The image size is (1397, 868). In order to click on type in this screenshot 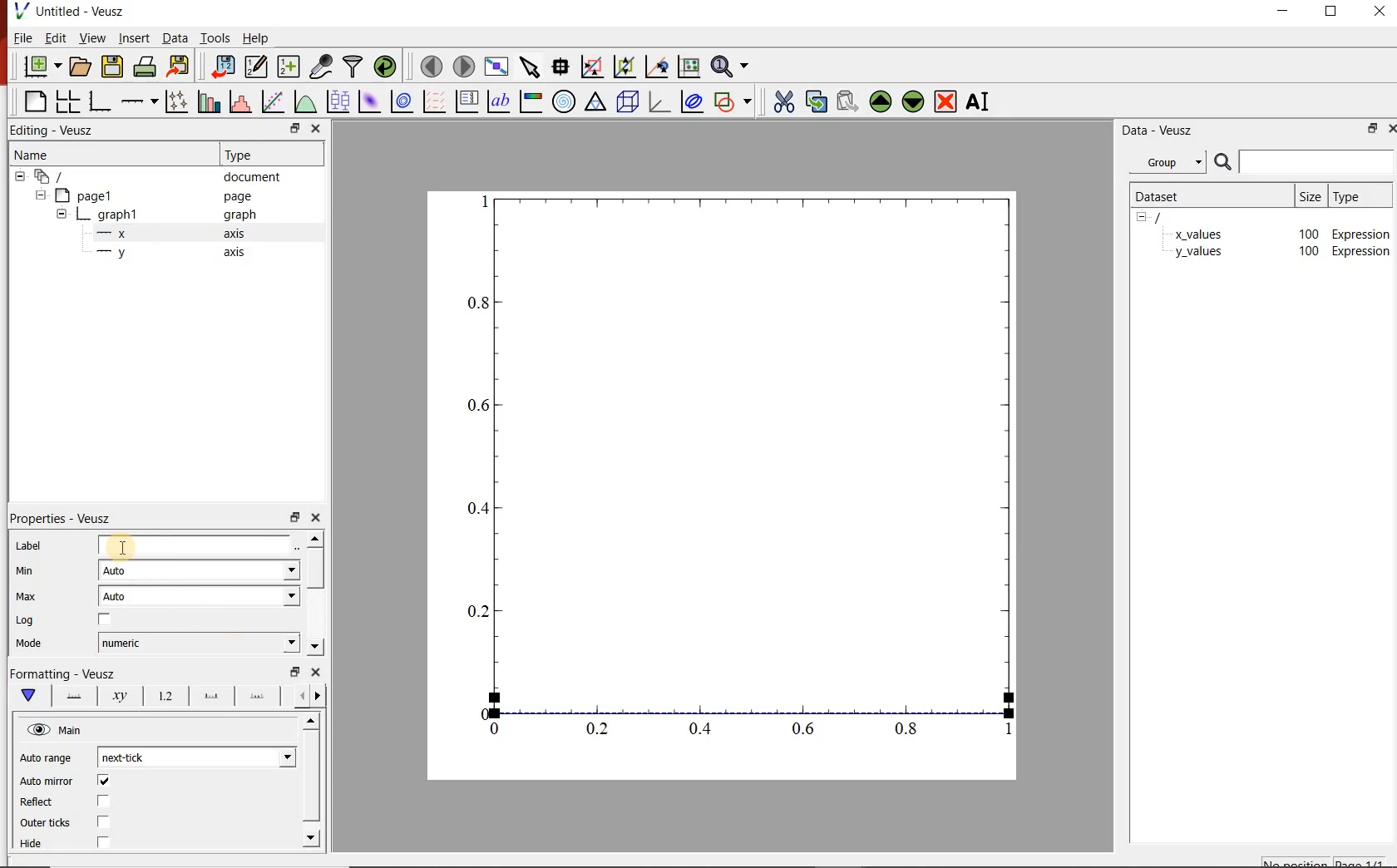, I will do `click(1358, 197)`.